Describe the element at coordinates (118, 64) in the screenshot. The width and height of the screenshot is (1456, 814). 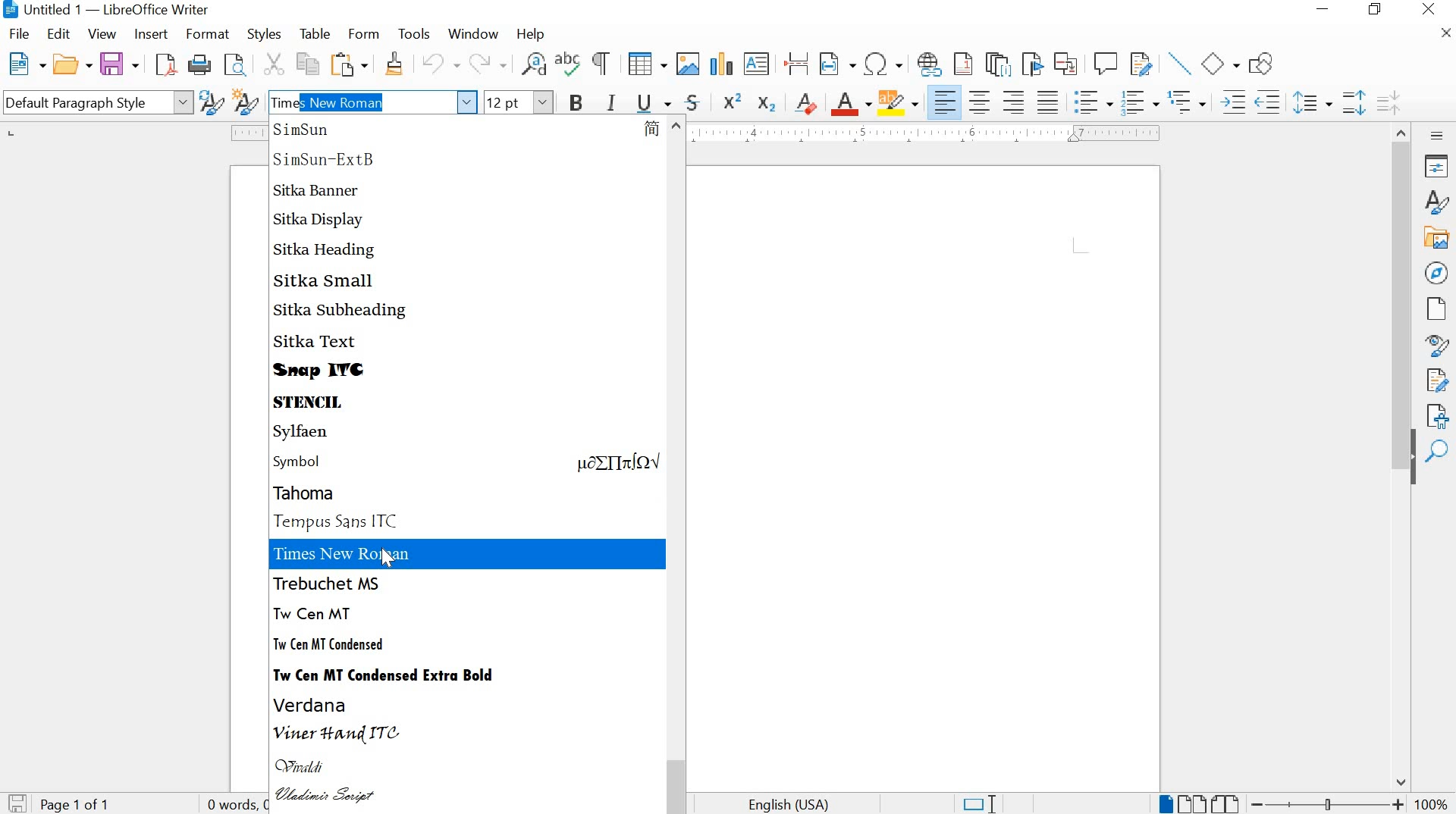
I see `SAVE` at that location.